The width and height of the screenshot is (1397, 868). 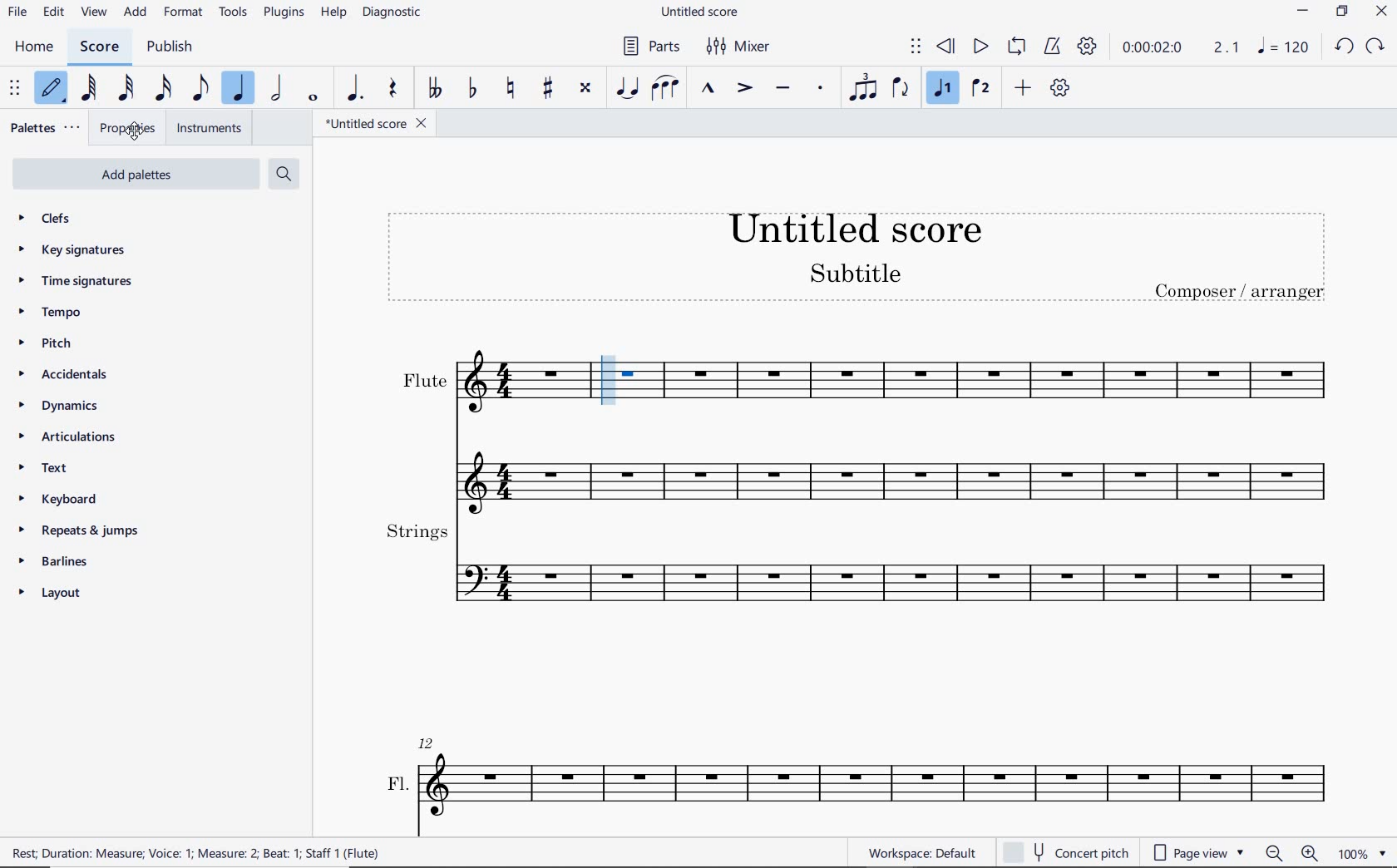 What do you see at coordinates (334, 12) in the screenshot?
I see `HELP` at bounding box center [334, 12].